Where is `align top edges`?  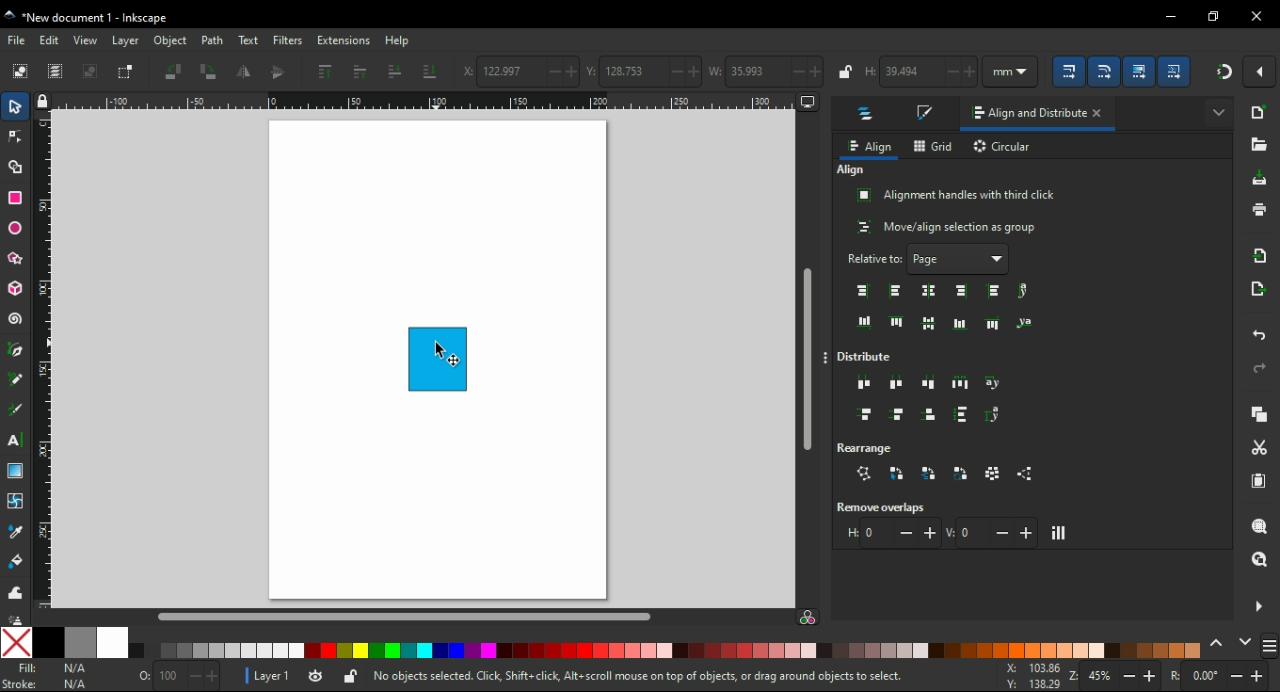 align top edges is located at coordinates (897, 321).